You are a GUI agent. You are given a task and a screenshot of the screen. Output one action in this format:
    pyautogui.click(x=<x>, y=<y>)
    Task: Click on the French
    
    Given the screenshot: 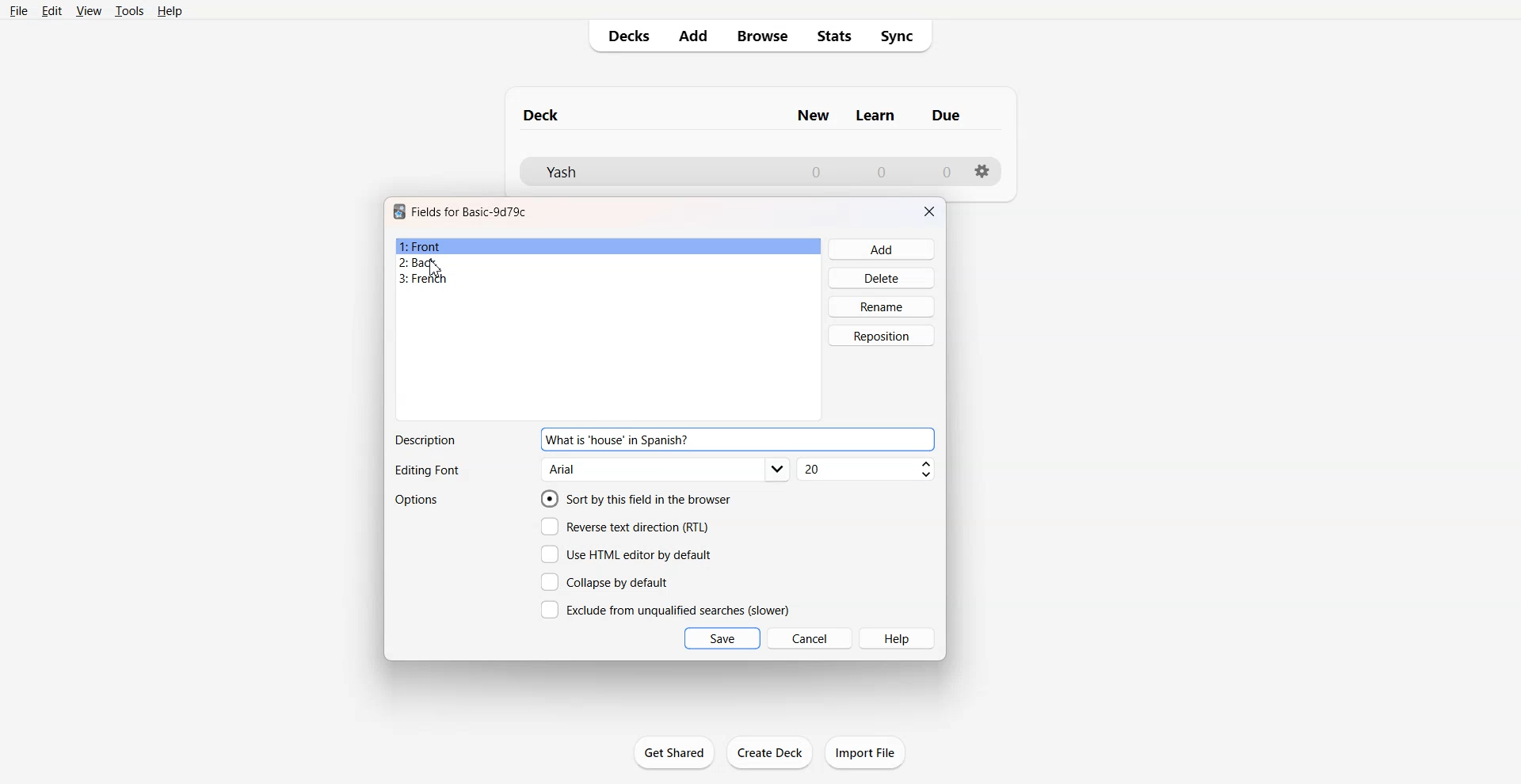 What is the action you would take?
    pyautogui.click(x=608, y=279)
    